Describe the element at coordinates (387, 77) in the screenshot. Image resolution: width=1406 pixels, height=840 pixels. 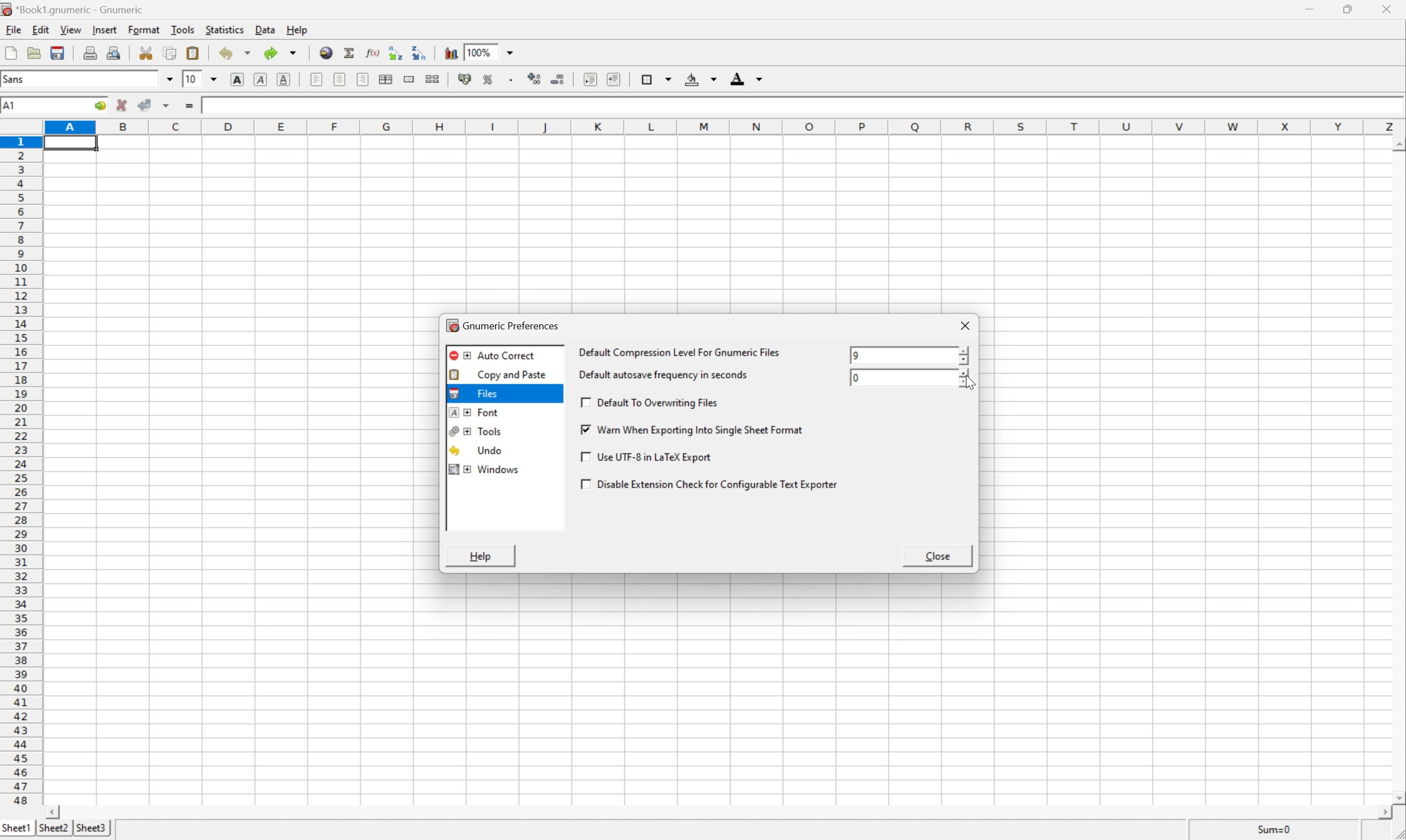
I see `center horizontally across selection` at that location.